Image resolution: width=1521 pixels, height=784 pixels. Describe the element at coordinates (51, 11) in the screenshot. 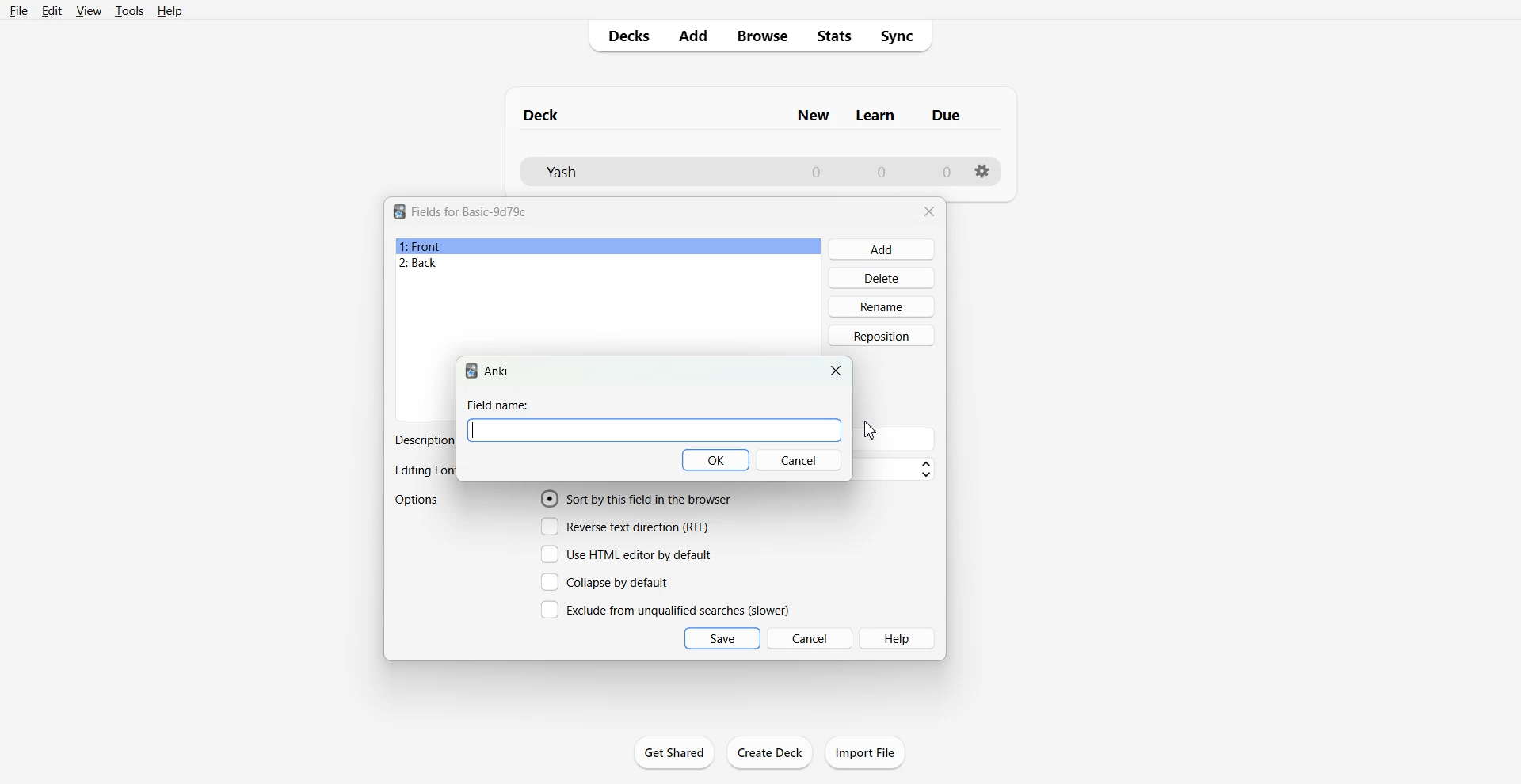

I see `Edit` at that location.